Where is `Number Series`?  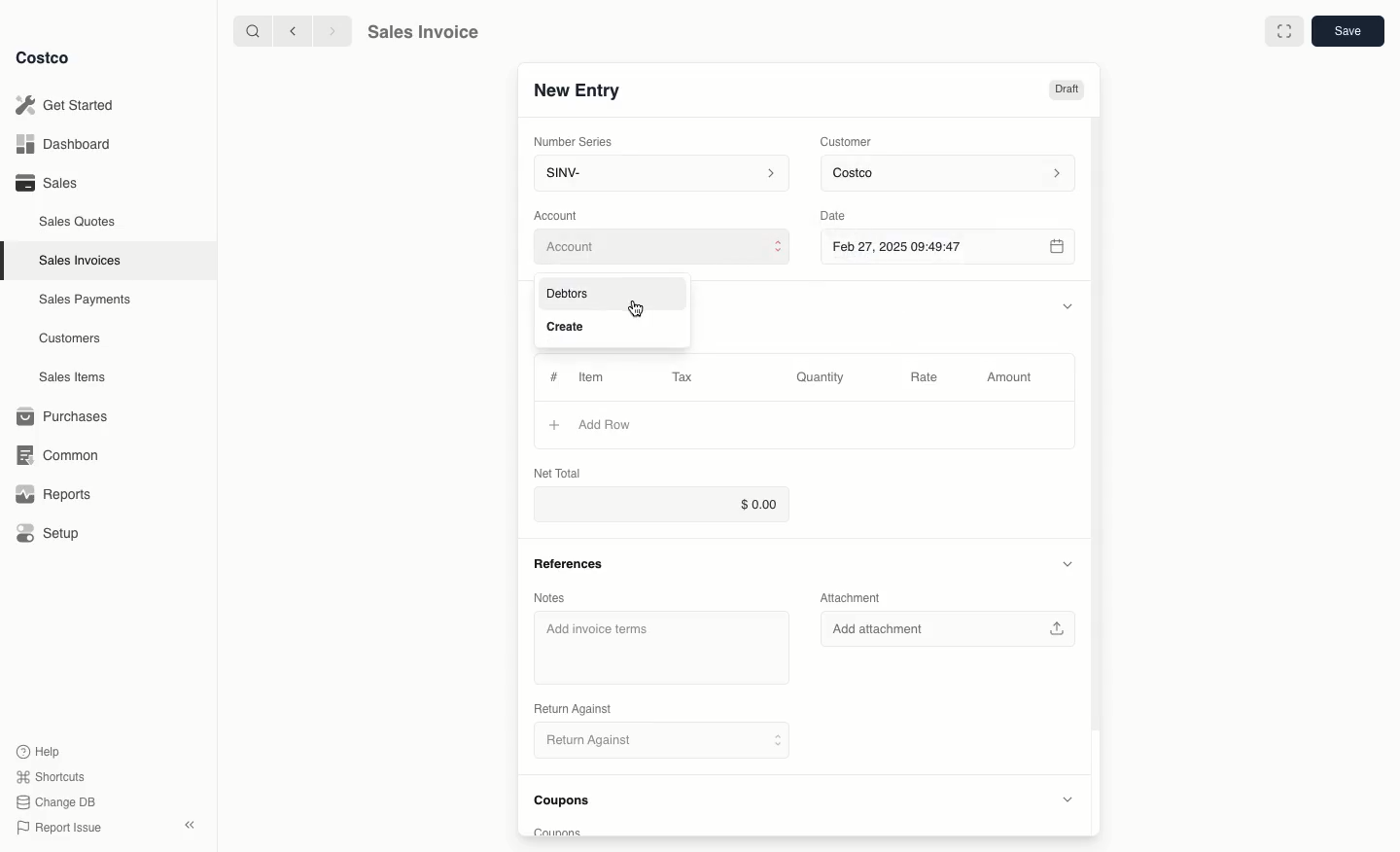 Number Series is located at coordinates (575, 140).